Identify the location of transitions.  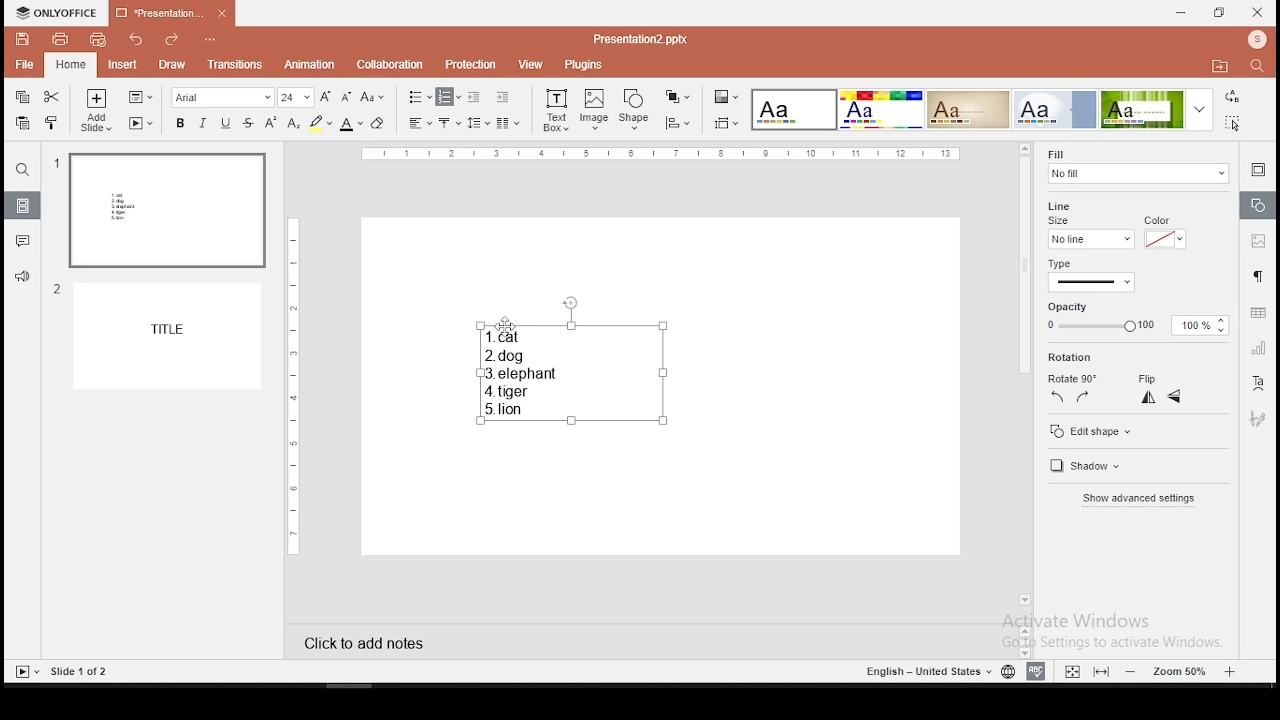
(232, 66).